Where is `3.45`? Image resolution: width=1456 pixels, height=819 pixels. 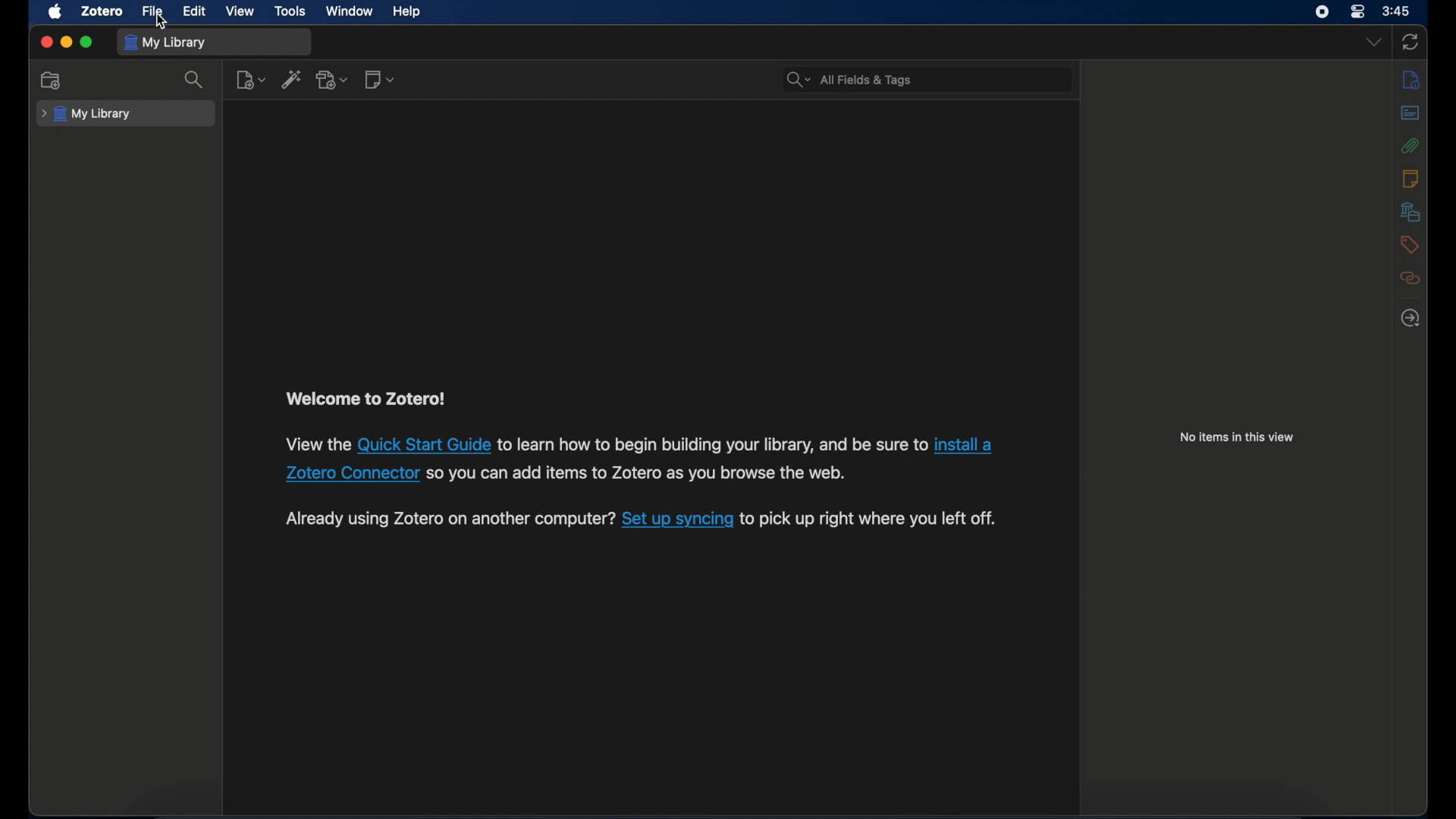 3.45 is located at coordinates (1396, 12).